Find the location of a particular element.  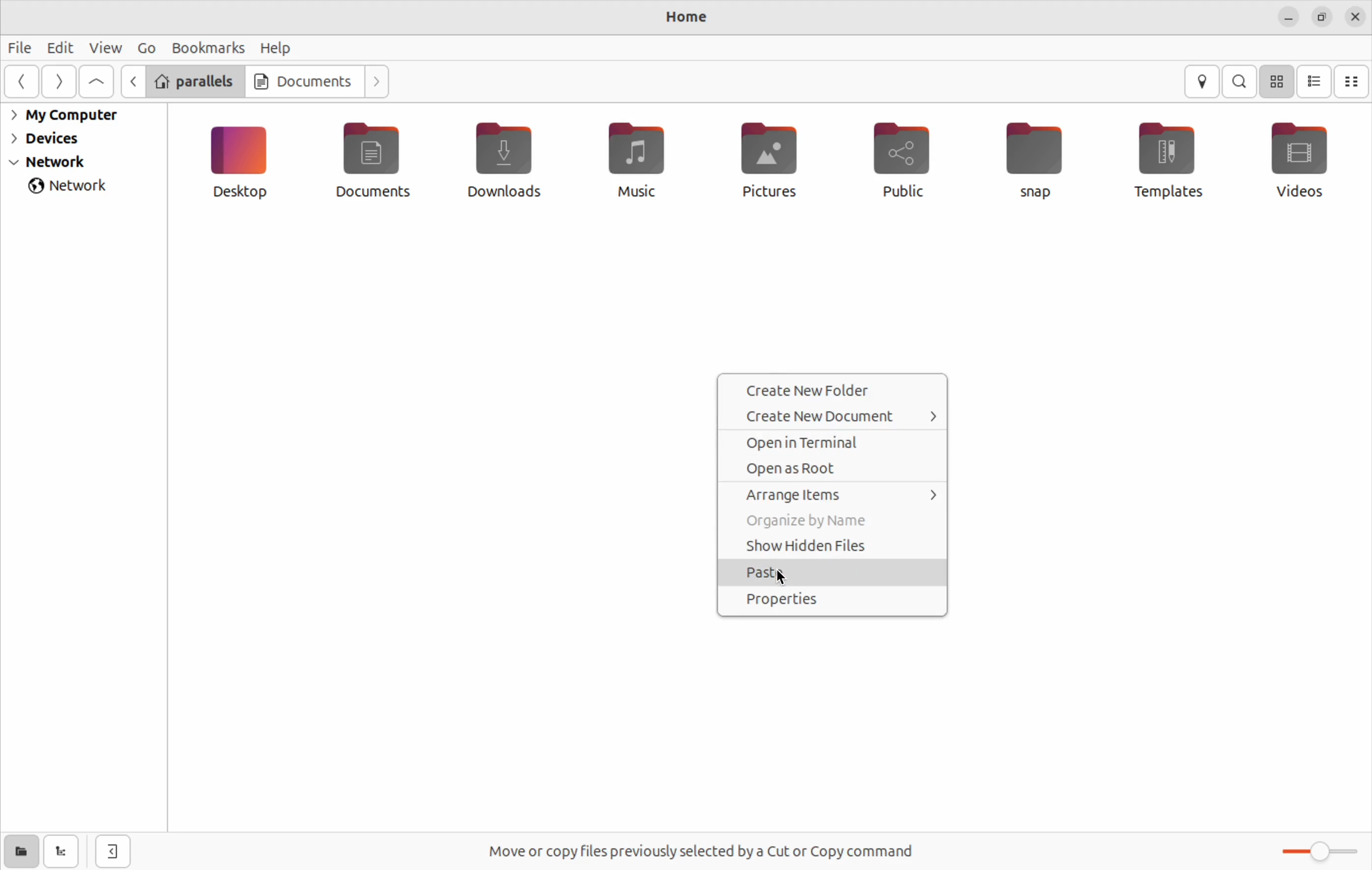

Go next is located at coordinates (378, 80).